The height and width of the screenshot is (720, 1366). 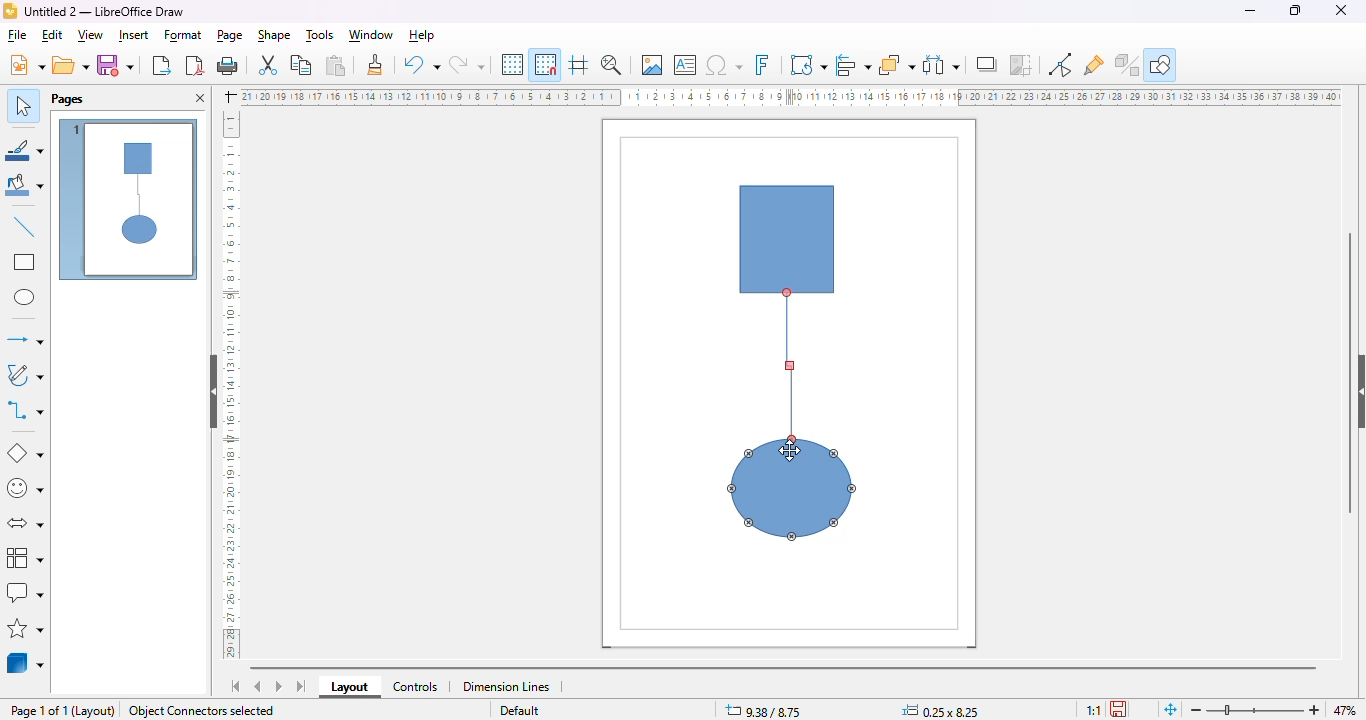 I want to click on slide master name, so click(x=517, y=711).